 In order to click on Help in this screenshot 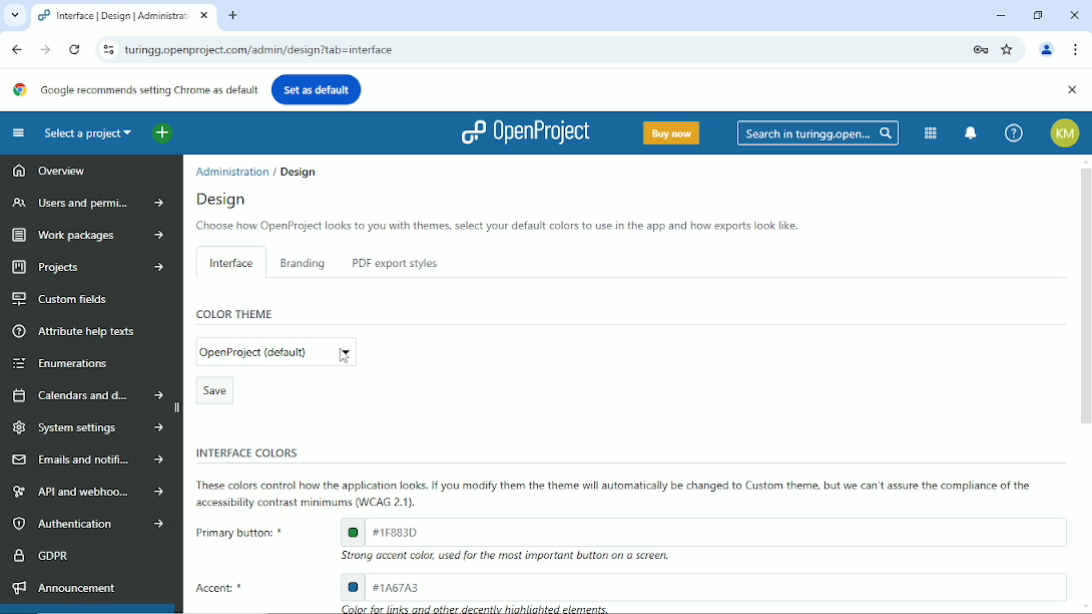, I will do `click(1013, 133)`.